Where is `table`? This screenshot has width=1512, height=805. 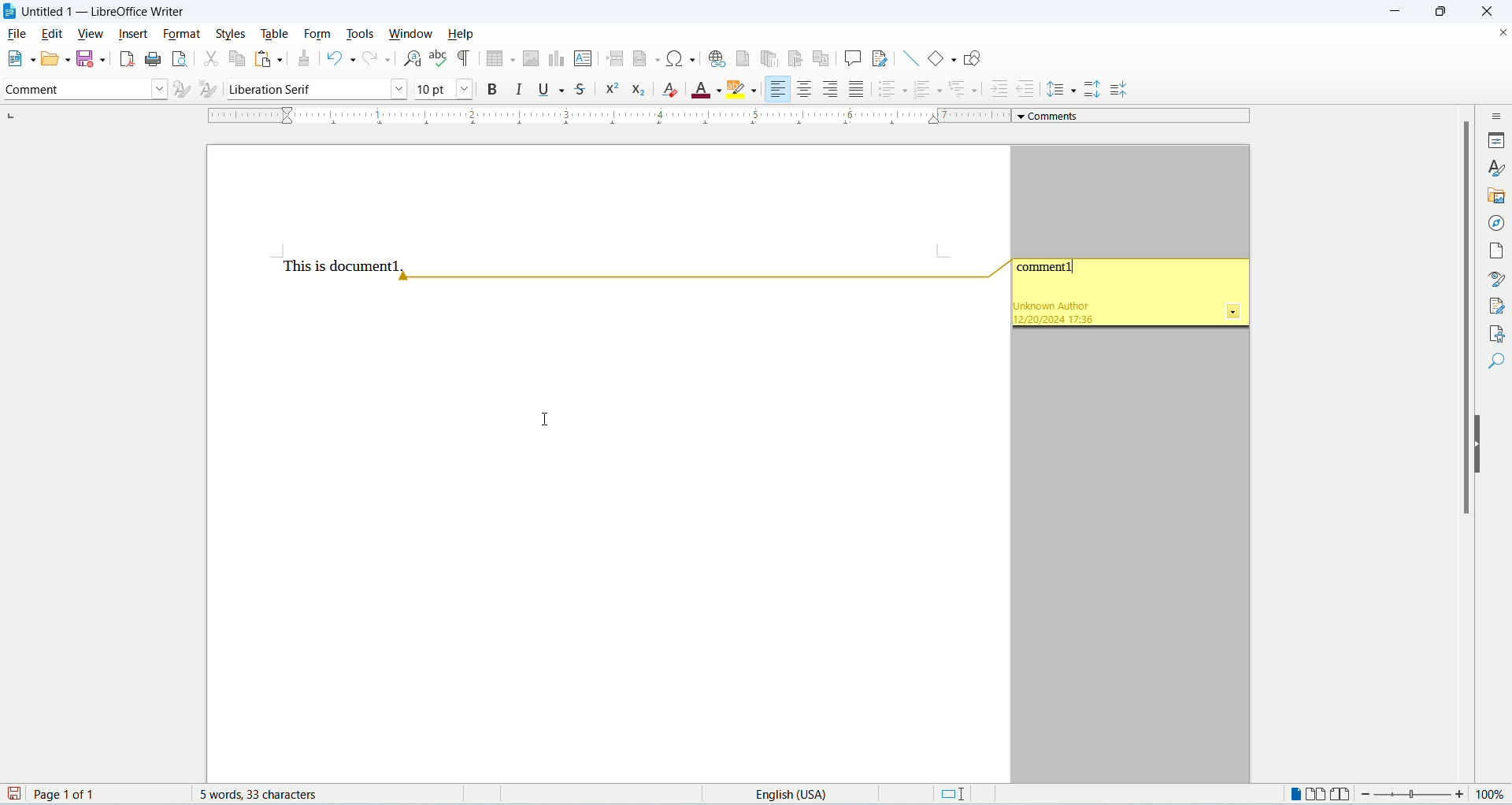
table is located at coordinates (278, 34).